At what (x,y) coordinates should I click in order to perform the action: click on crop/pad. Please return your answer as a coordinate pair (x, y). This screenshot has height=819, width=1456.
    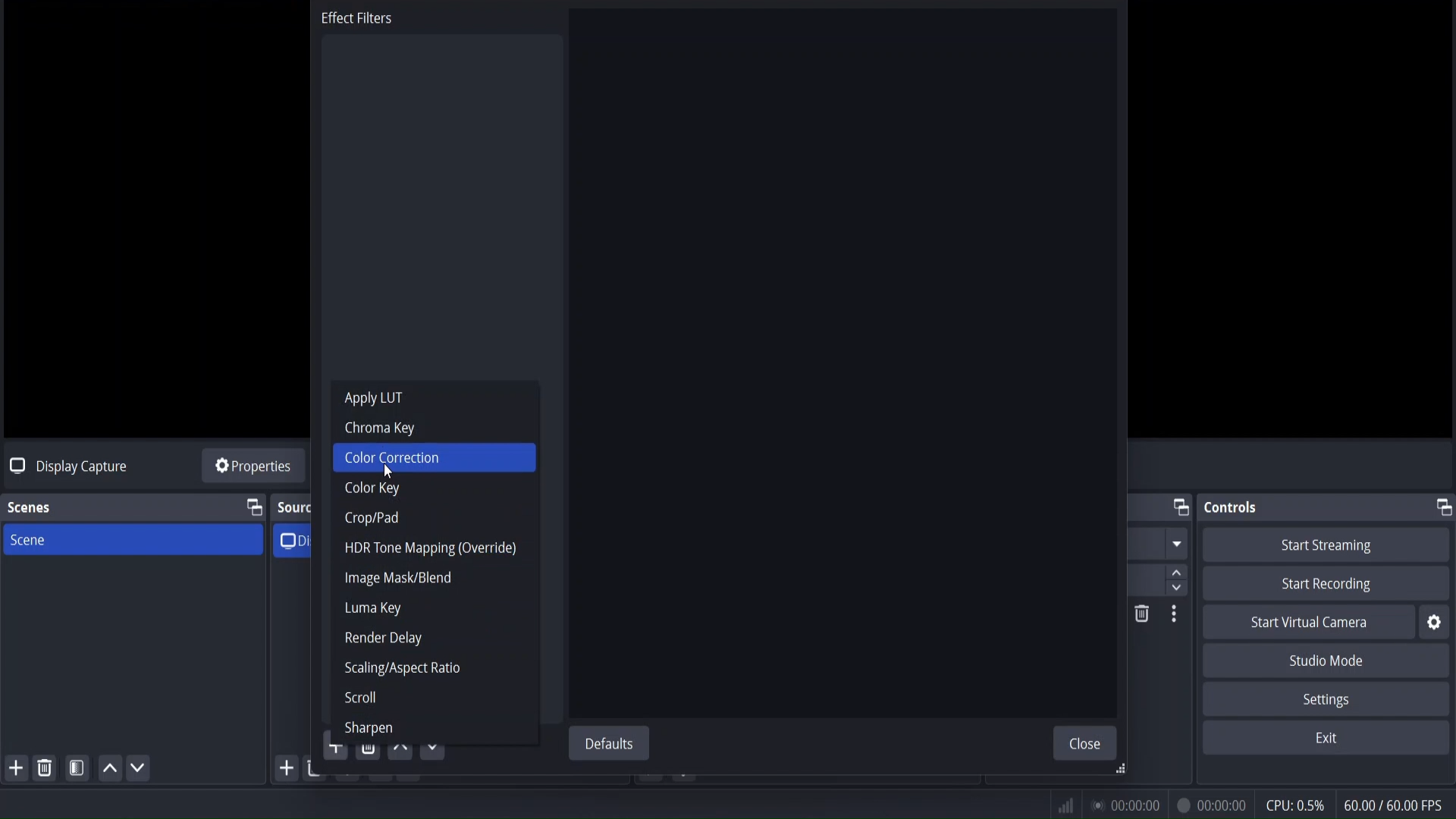
    Looking at the image, I should click on (372, 518).